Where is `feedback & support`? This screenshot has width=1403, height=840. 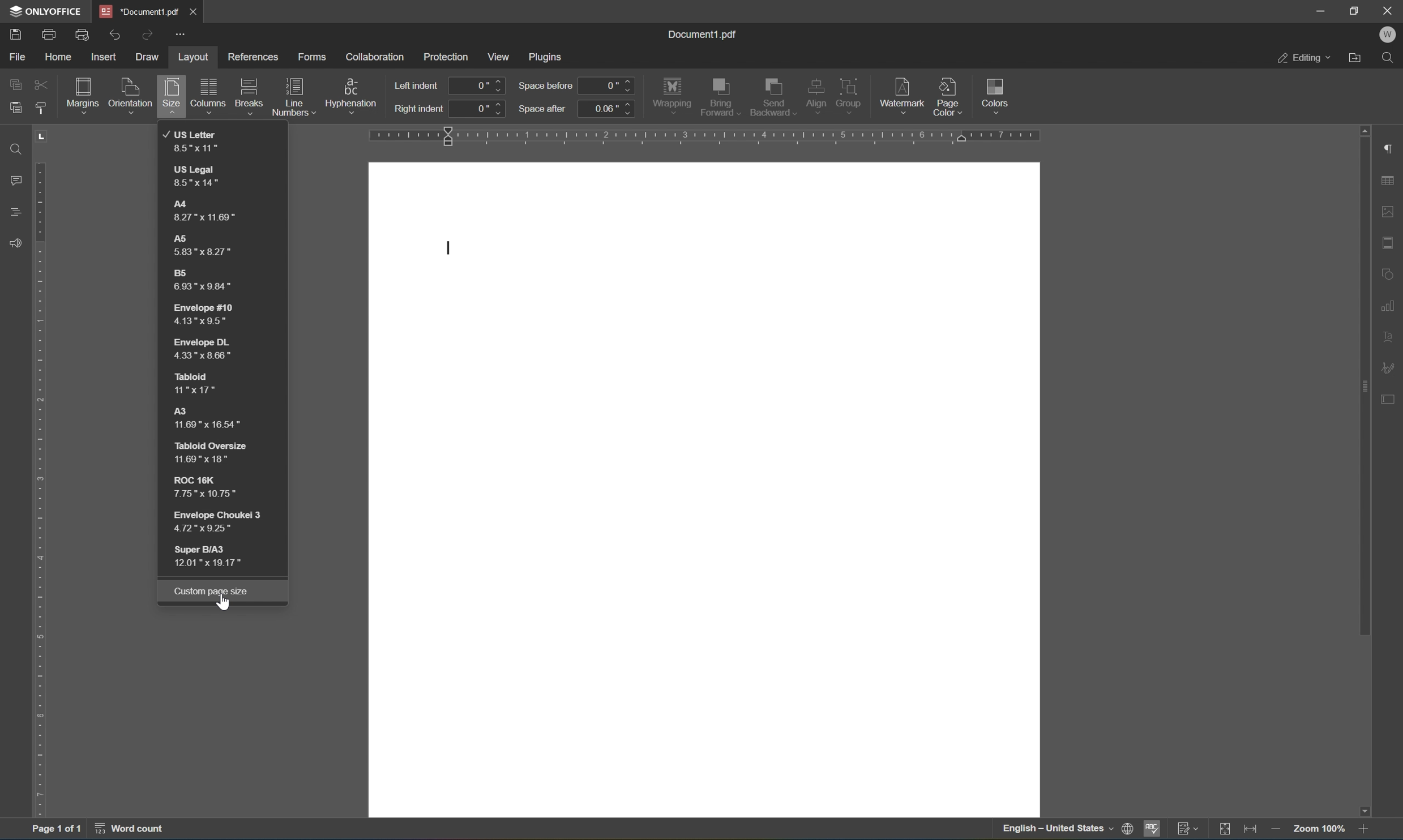
feedback & support is located at coordinates (12, 243).